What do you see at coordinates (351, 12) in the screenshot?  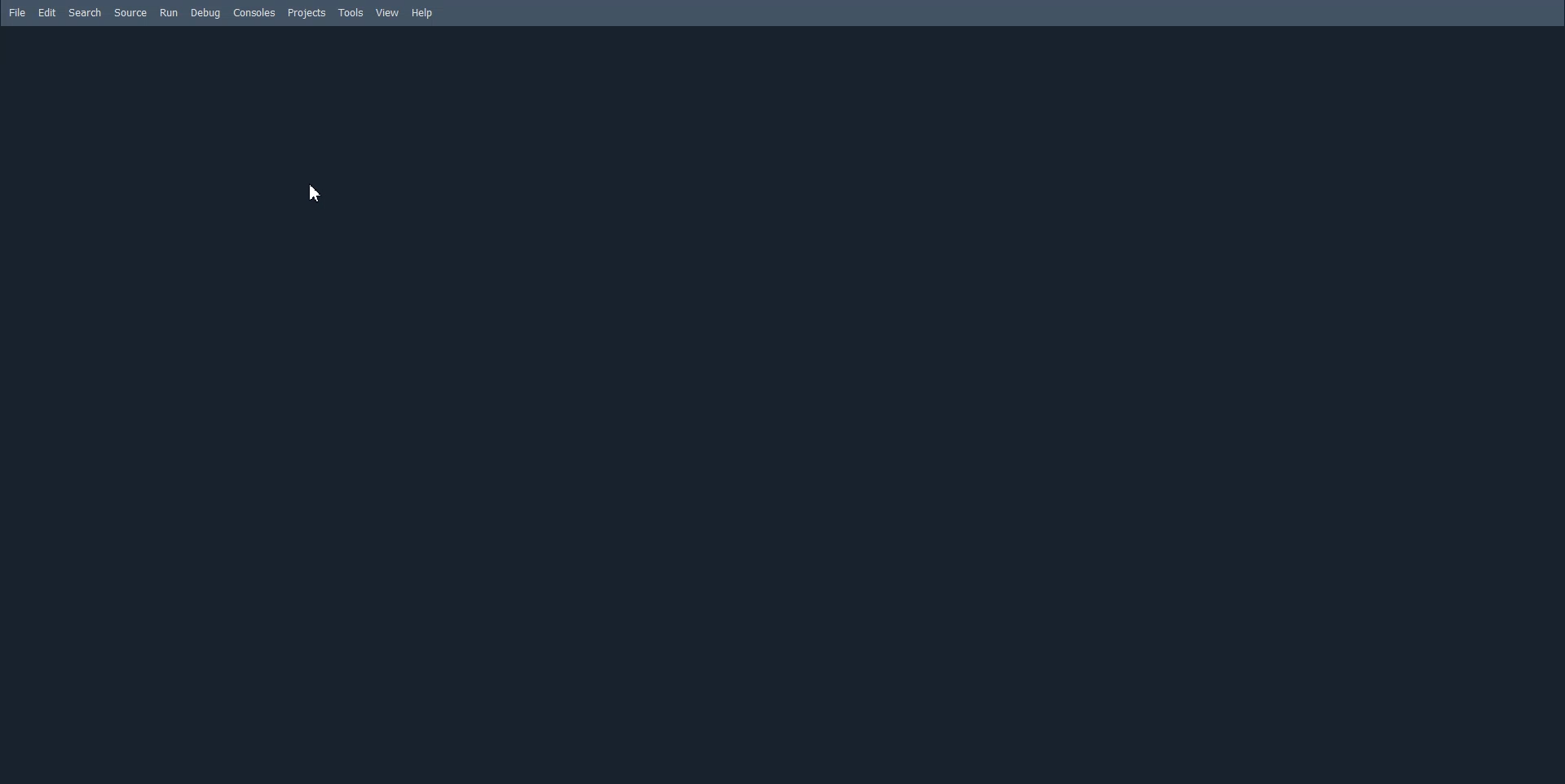 I see `Tools` at bounding box center [351, 12].